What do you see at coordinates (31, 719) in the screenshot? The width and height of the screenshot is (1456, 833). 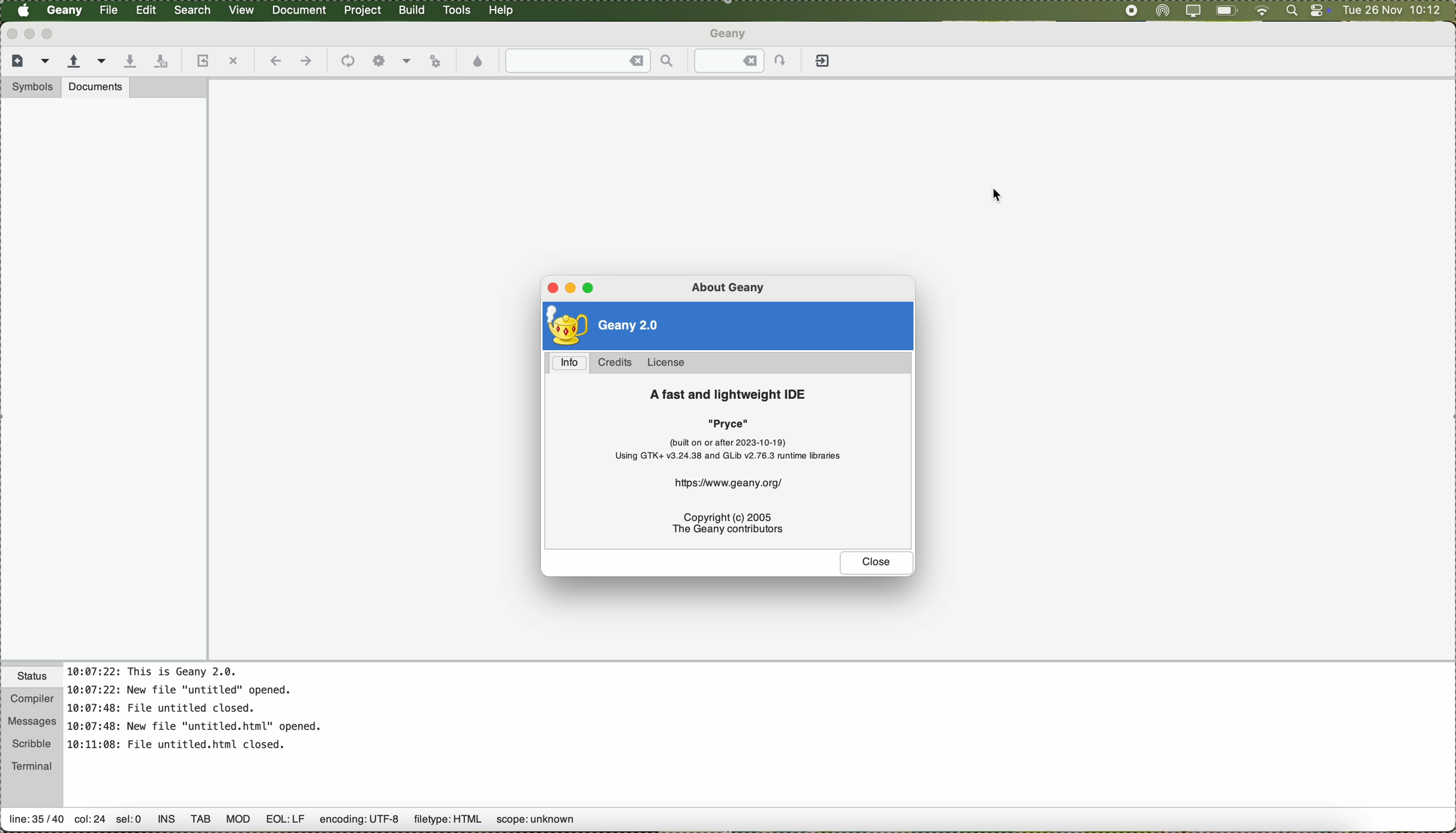 I see `messages` at bounding box center [31, 719].